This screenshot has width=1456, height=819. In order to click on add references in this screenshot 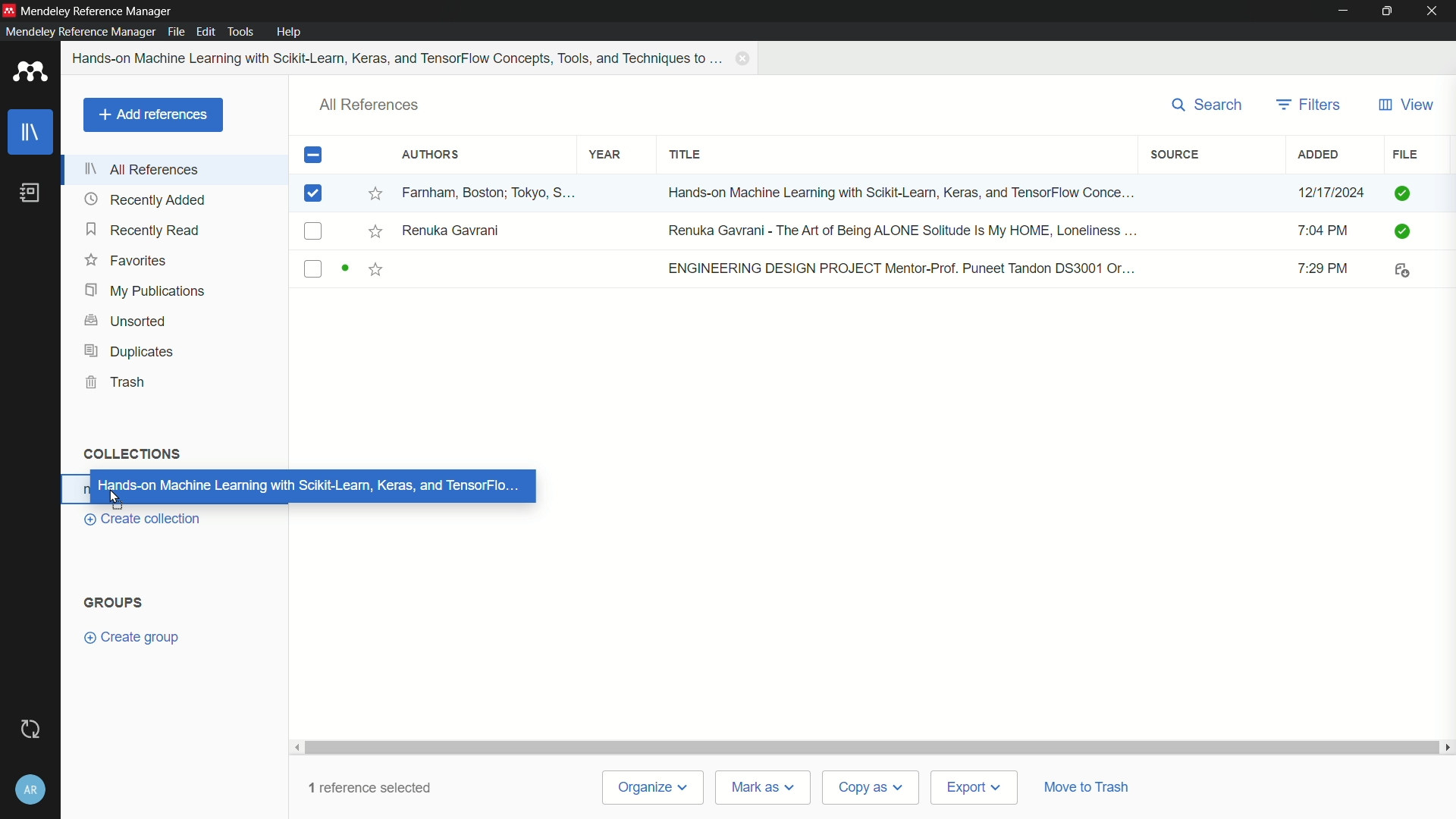, I will do `click(152, 115)`.